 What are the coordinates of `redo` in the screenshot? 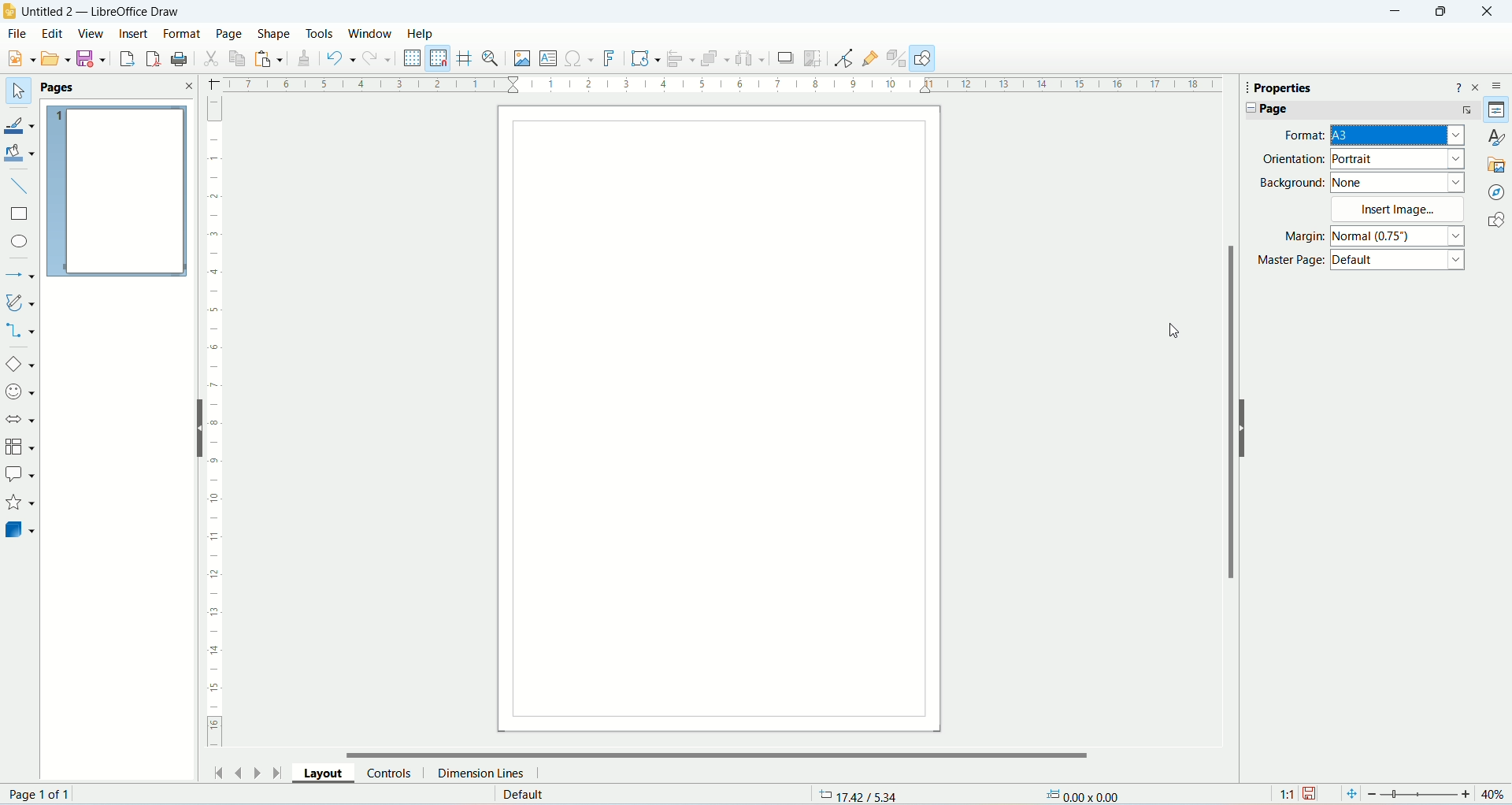 It's located at (379, 58).